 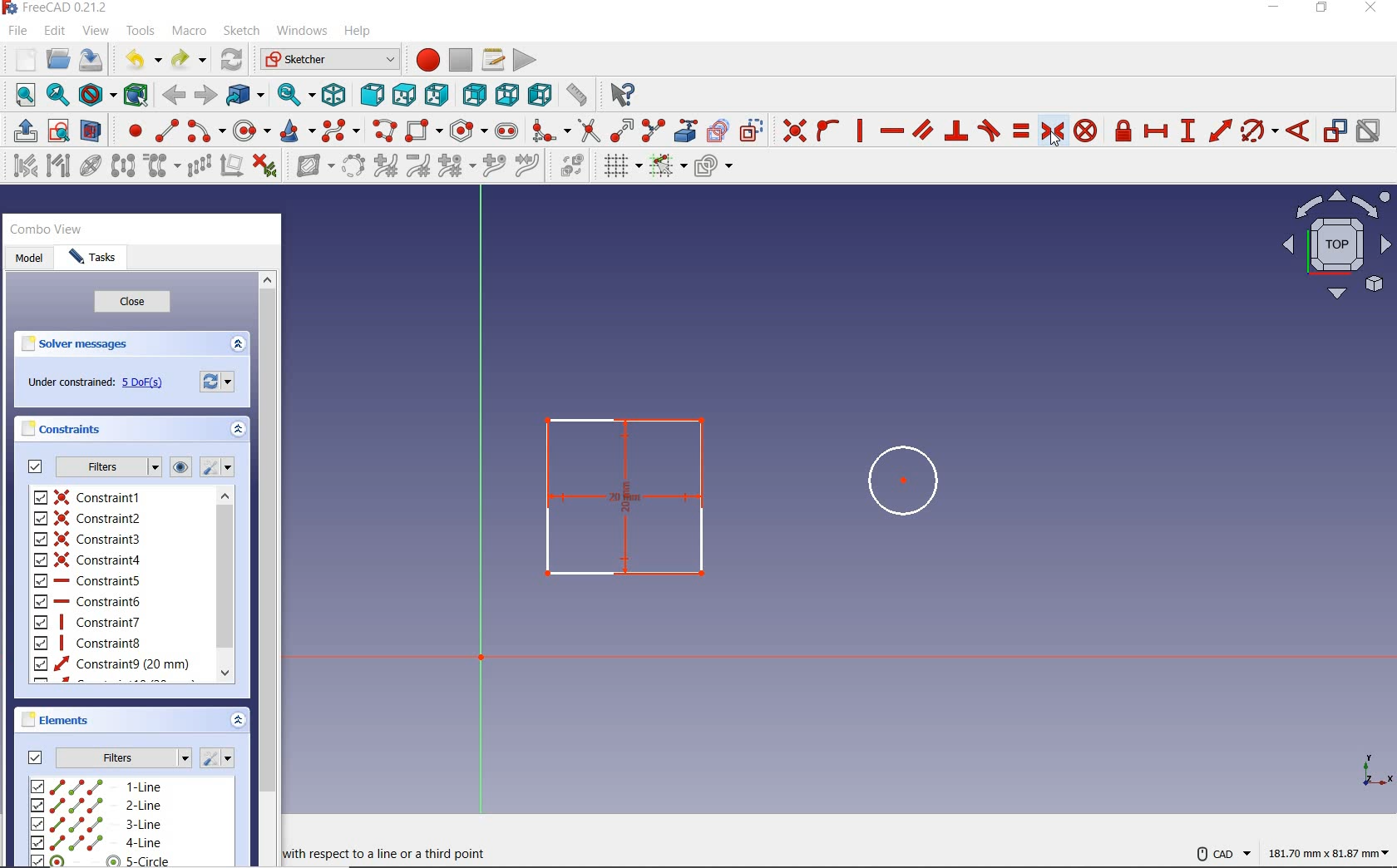 I want to click on constraint7, so click(x=88, y=622).